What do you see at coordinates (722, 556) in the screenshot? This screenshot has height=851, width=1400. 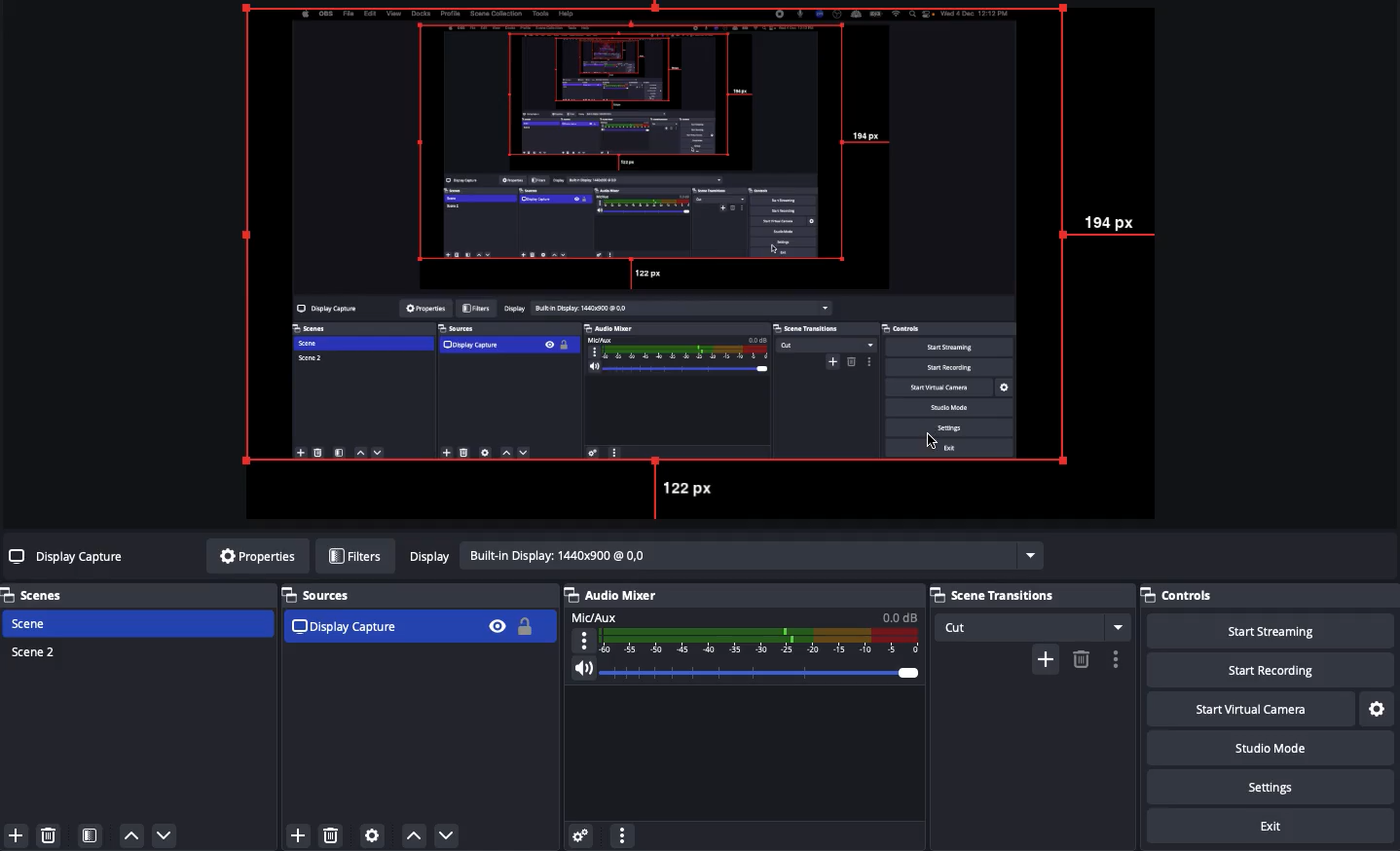 I see `Built-in Display: 1440x900 @ 0,0` at bounding box center [722, 556].